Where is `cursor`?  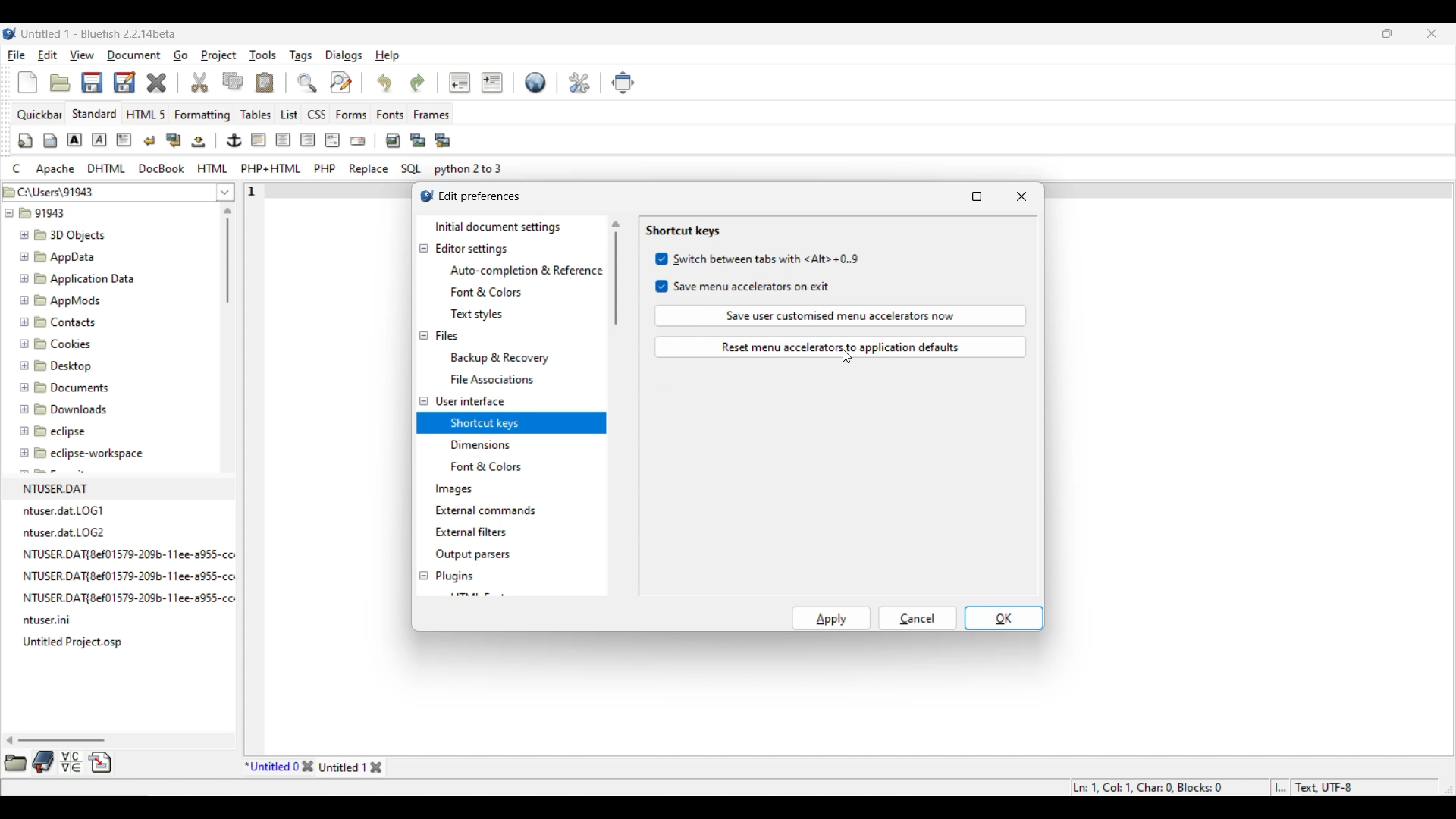
cursor is located at coordinates (849, 359).